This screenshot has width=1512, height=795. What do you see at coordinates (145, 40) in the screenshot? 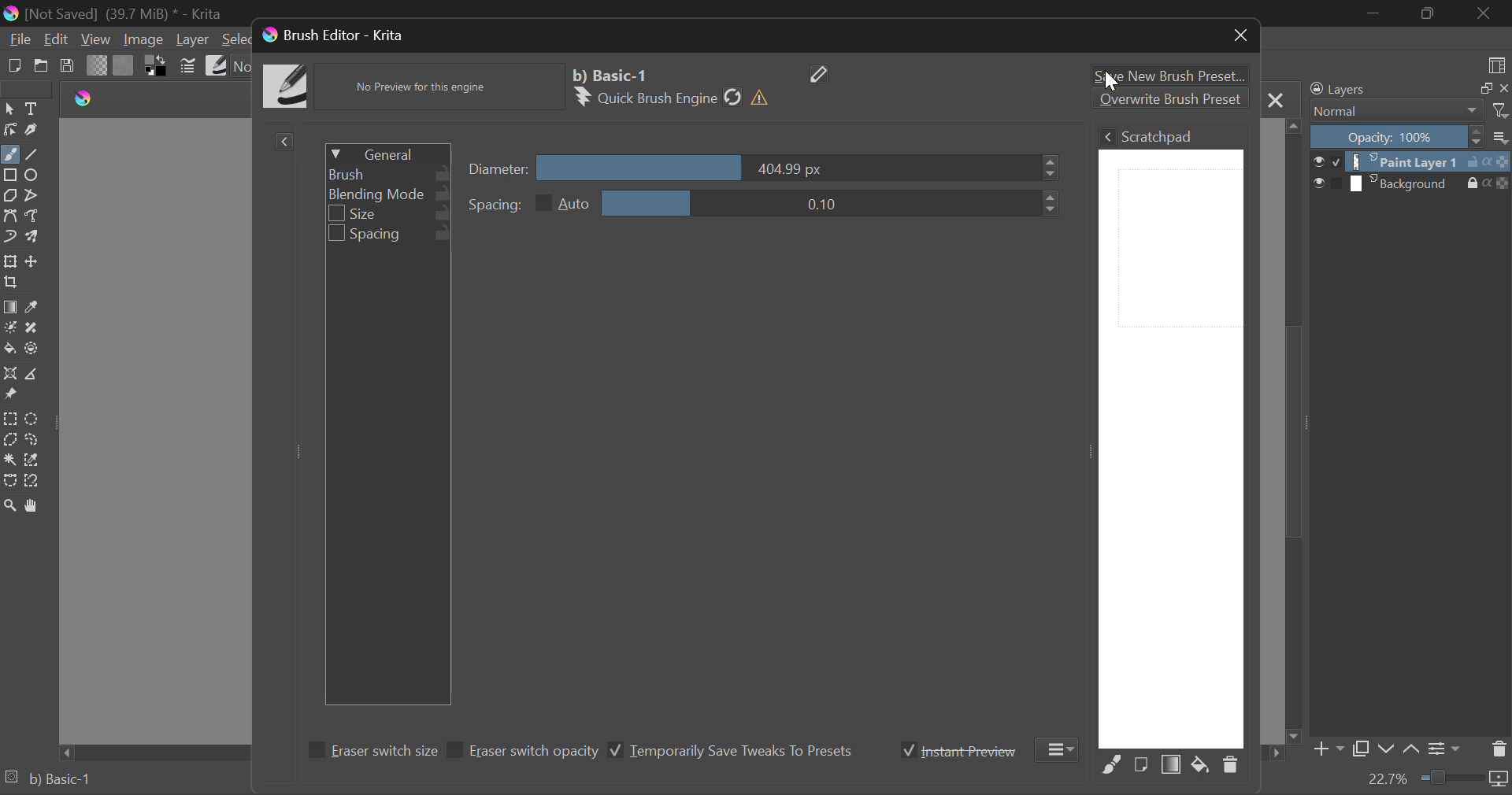
I see `Image` at bounding box center [145, 40].